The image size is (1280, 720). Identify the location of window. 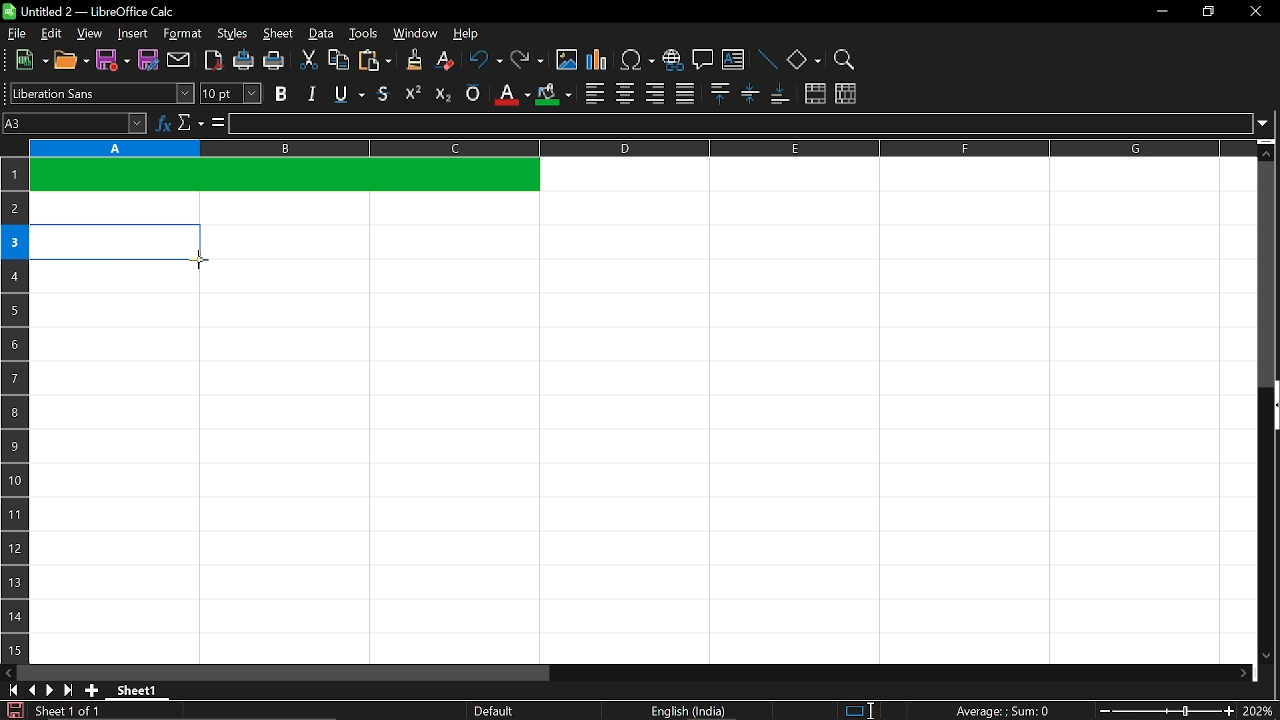
(415, 34).